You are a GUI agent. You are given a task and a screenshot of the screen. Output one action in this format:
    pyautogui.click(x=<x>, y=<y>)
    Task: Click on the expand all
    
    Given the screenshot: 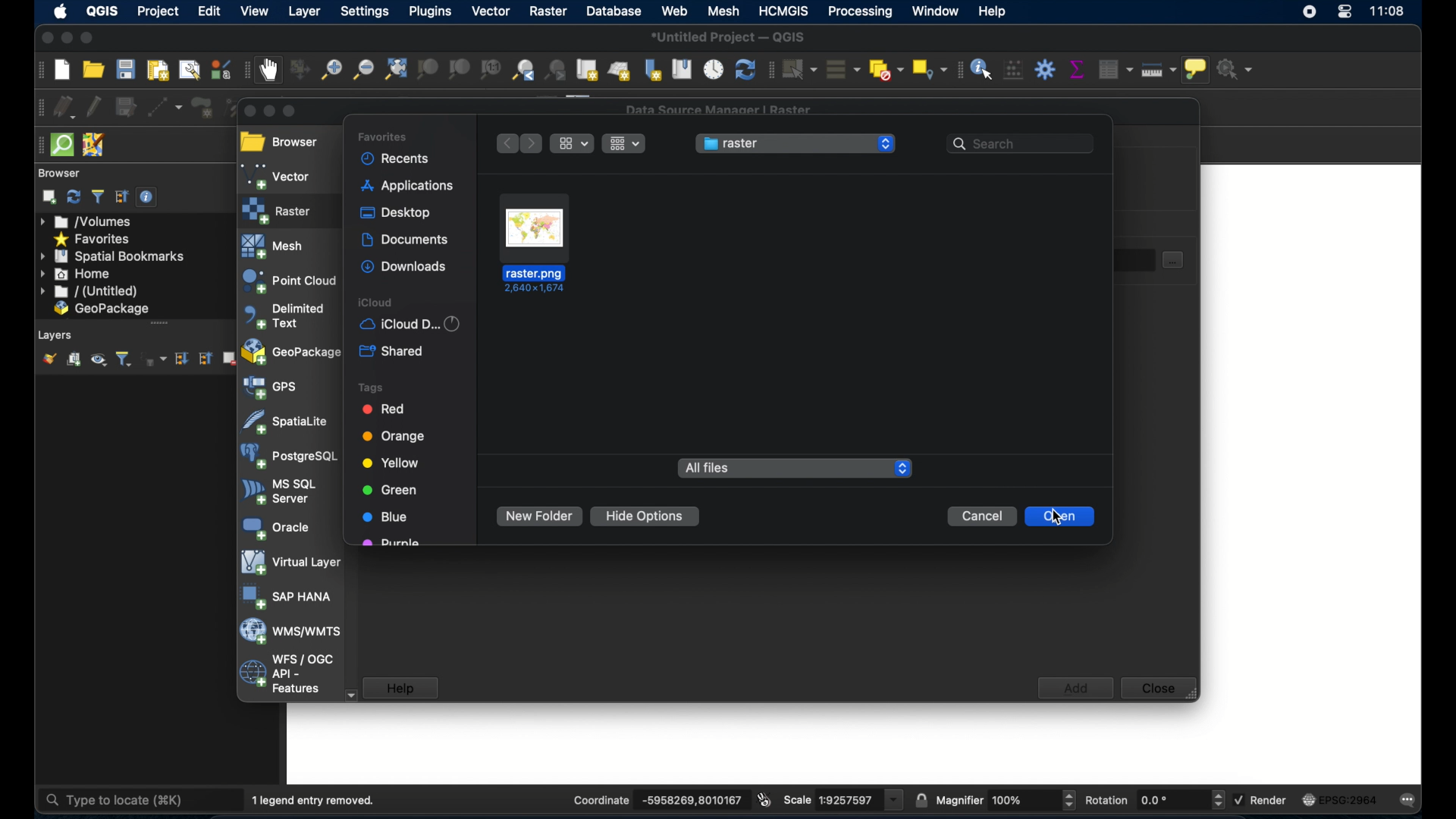 What is the action you would take?
    pyautogui.click(x=183, y=359)
    